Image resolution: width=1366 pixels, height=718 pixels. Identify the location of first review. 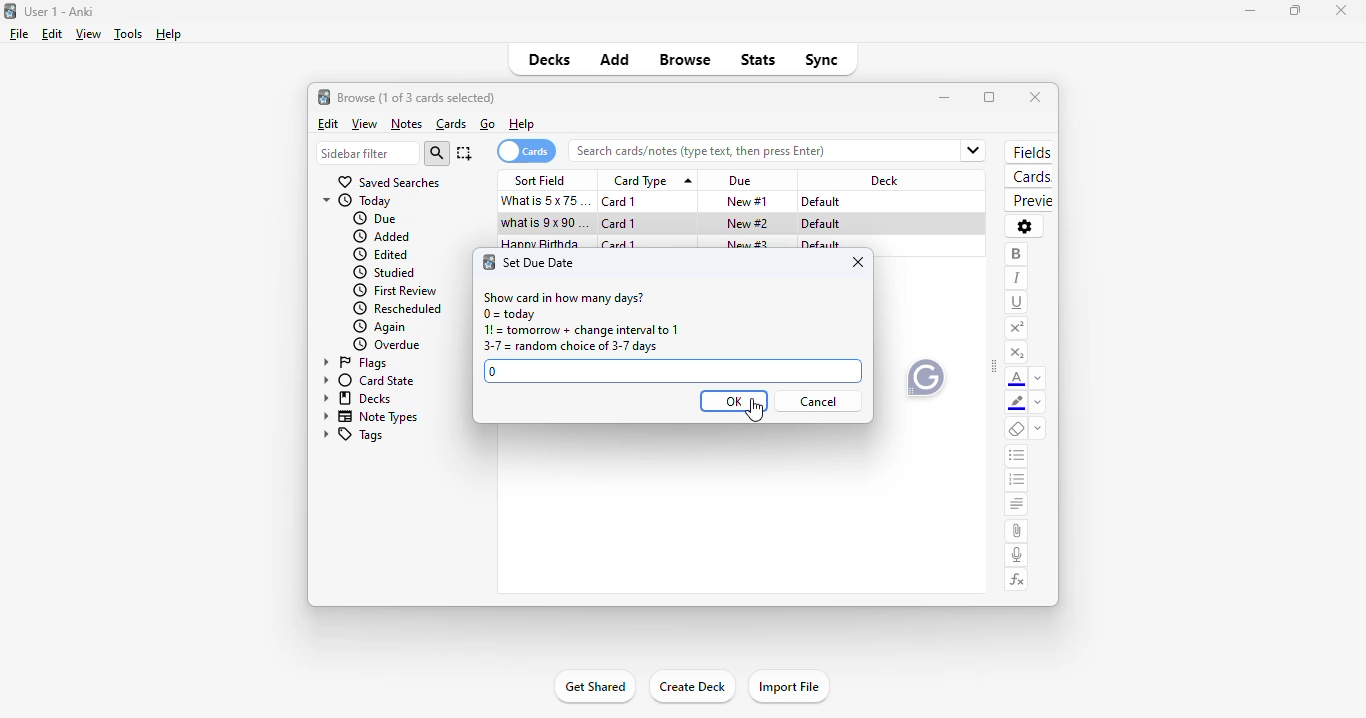
(394, 292).